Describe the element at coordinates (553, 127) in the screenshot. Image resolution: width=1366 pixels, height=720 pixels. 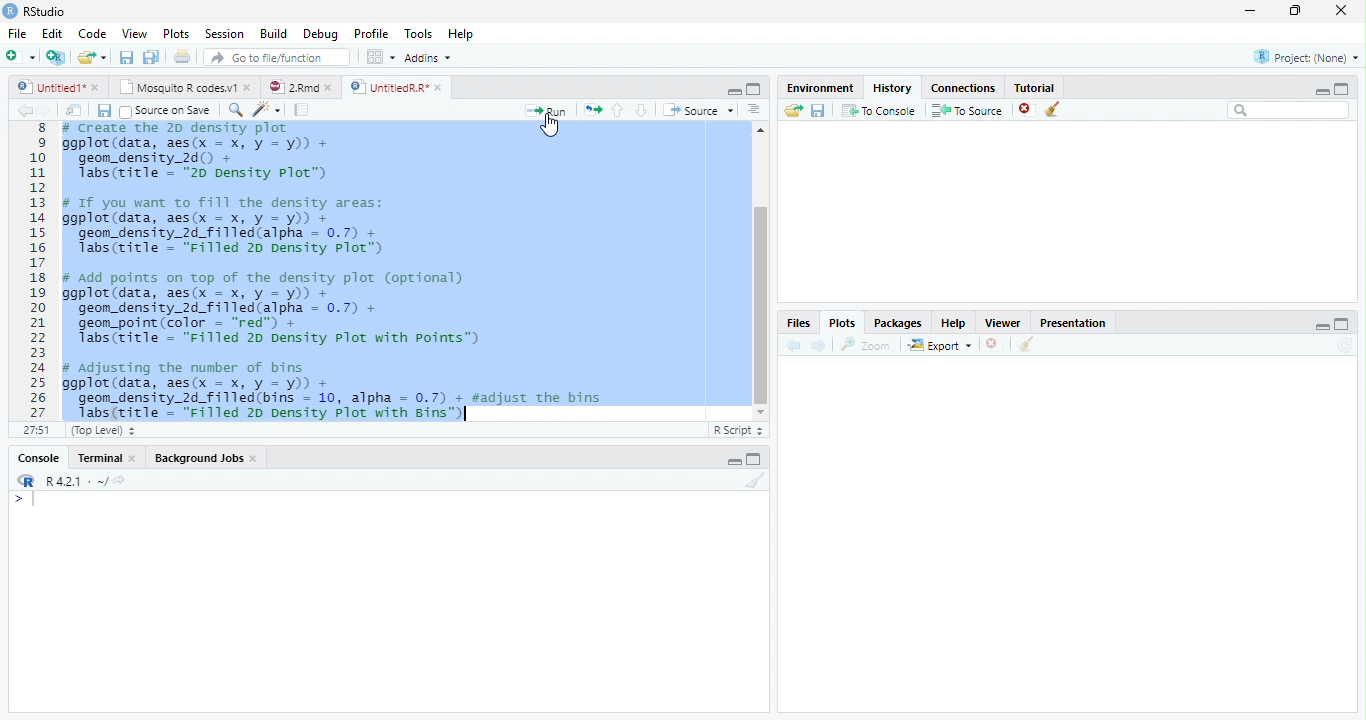
I see `cursor` at that location.